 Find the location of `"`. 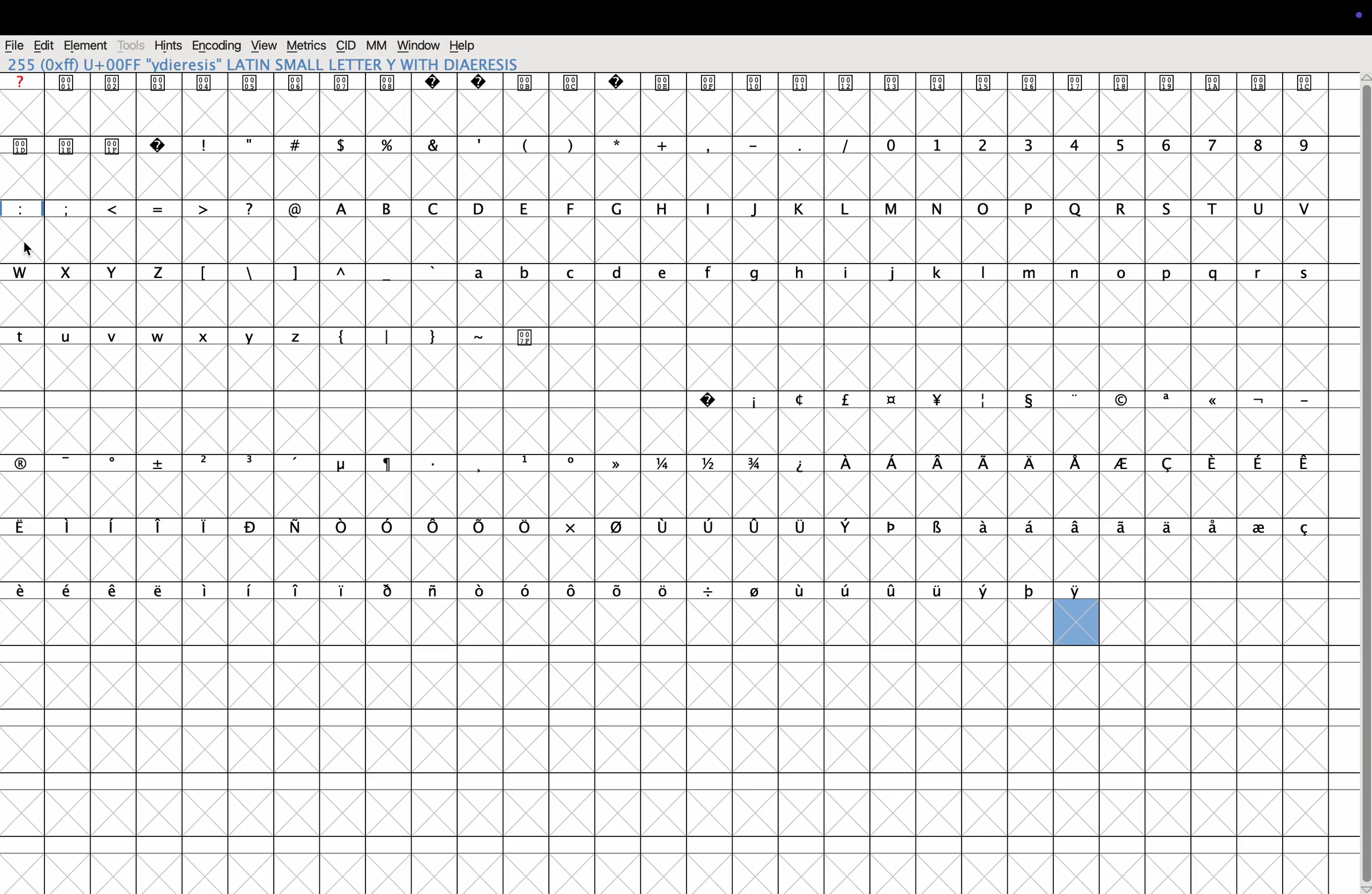

" is located at coordinates (252, 155).